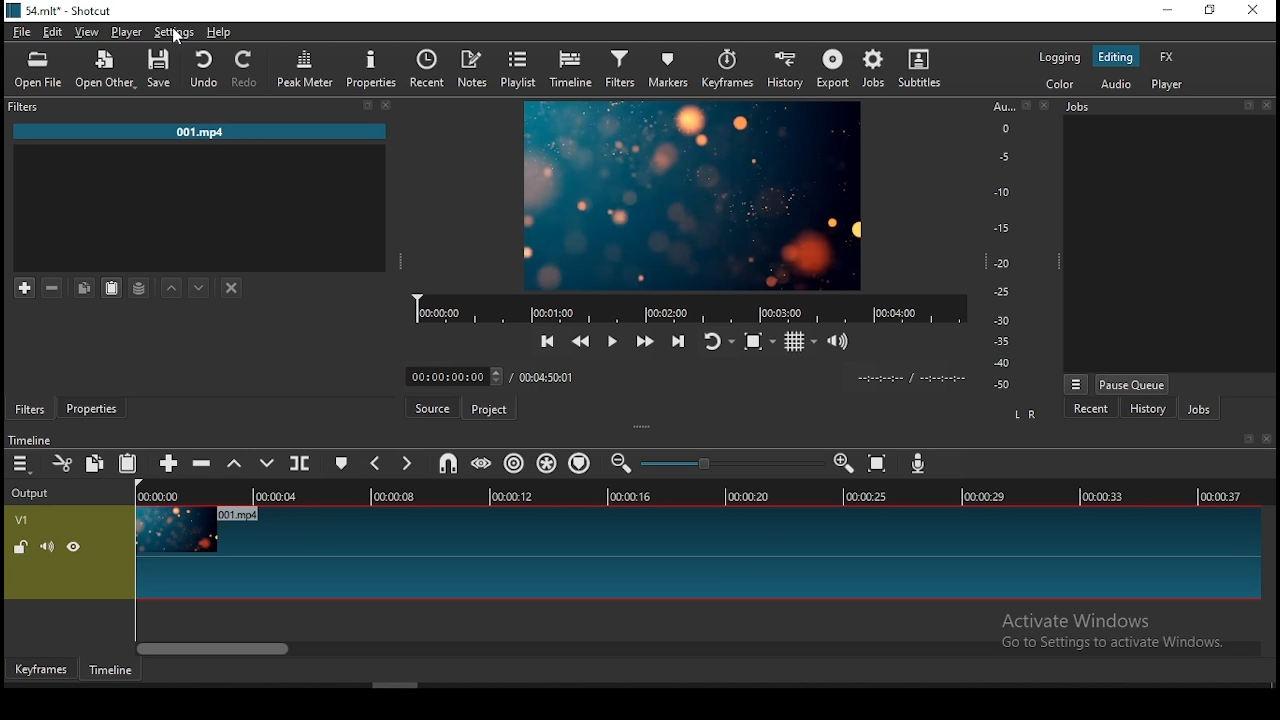 The image size is (1280, 720). I want to click on move filter down, so click(199, 288).